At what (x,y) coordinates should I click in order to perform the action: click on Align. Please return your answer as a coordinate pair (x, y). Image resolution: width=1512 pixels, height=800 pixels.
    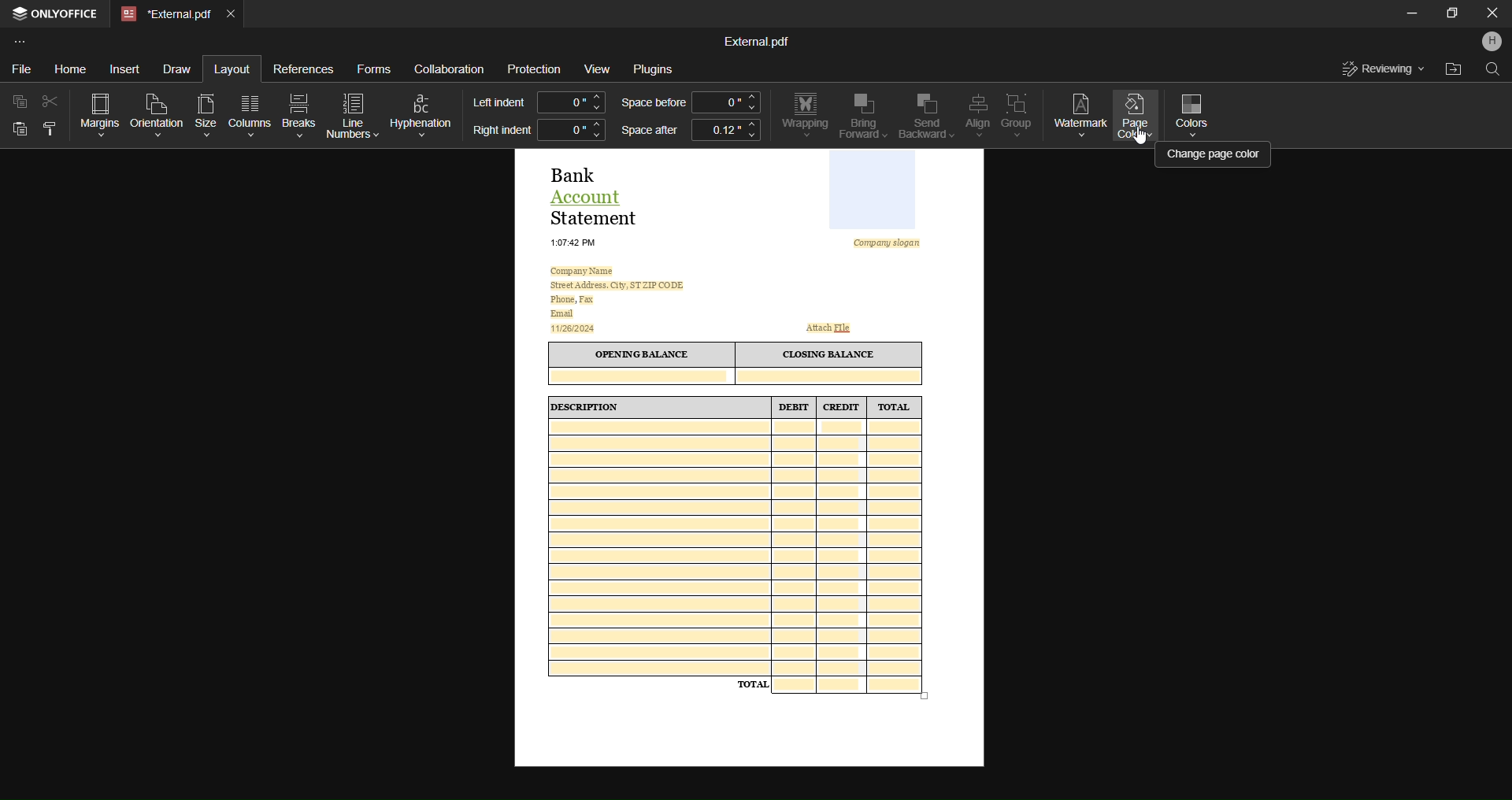
    Looking at the image, I should click on (973, 115).